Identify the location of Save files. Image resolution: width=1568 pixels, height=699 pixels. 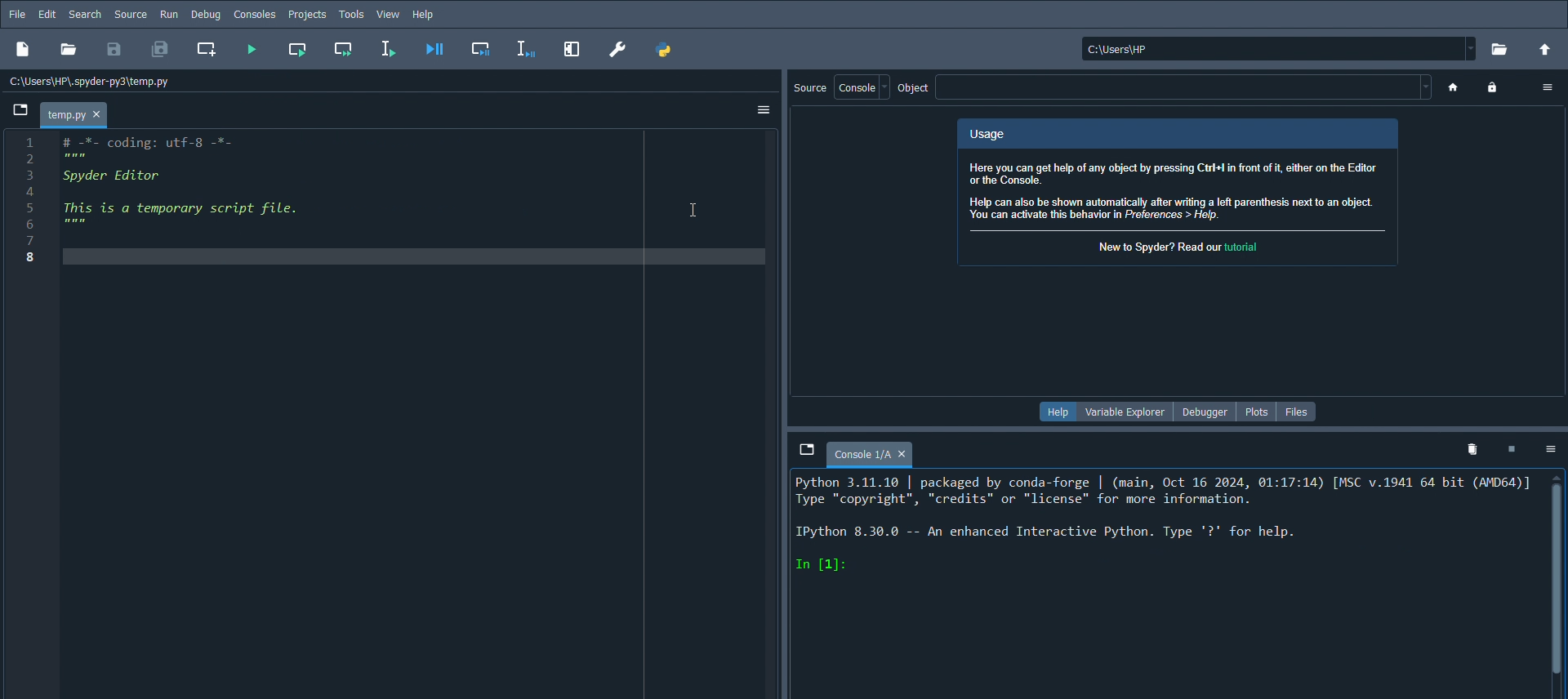
(114, 50).